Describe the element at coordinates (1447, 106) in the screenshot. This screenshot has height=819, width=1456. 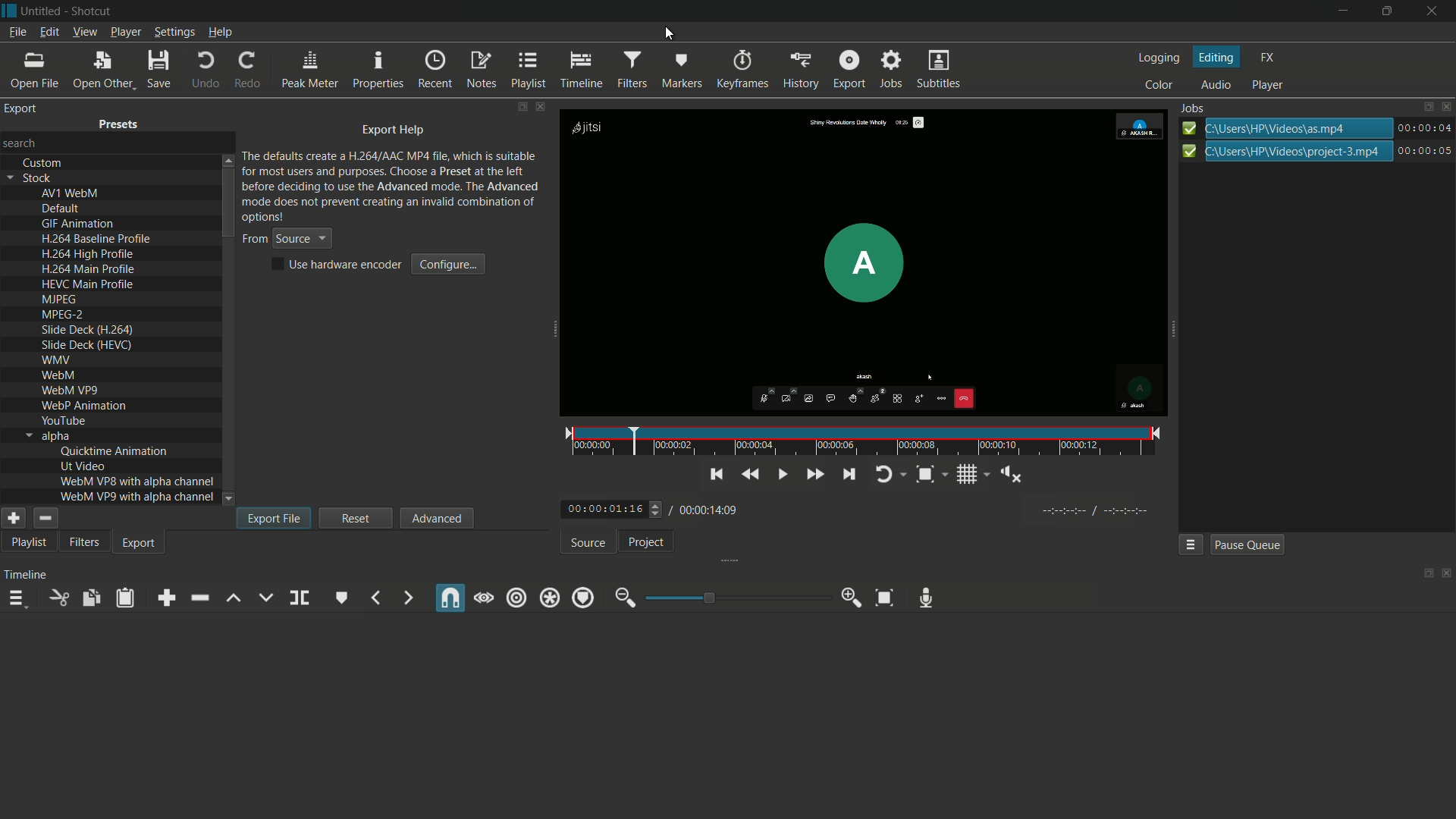
I see `close jobs` at that location.